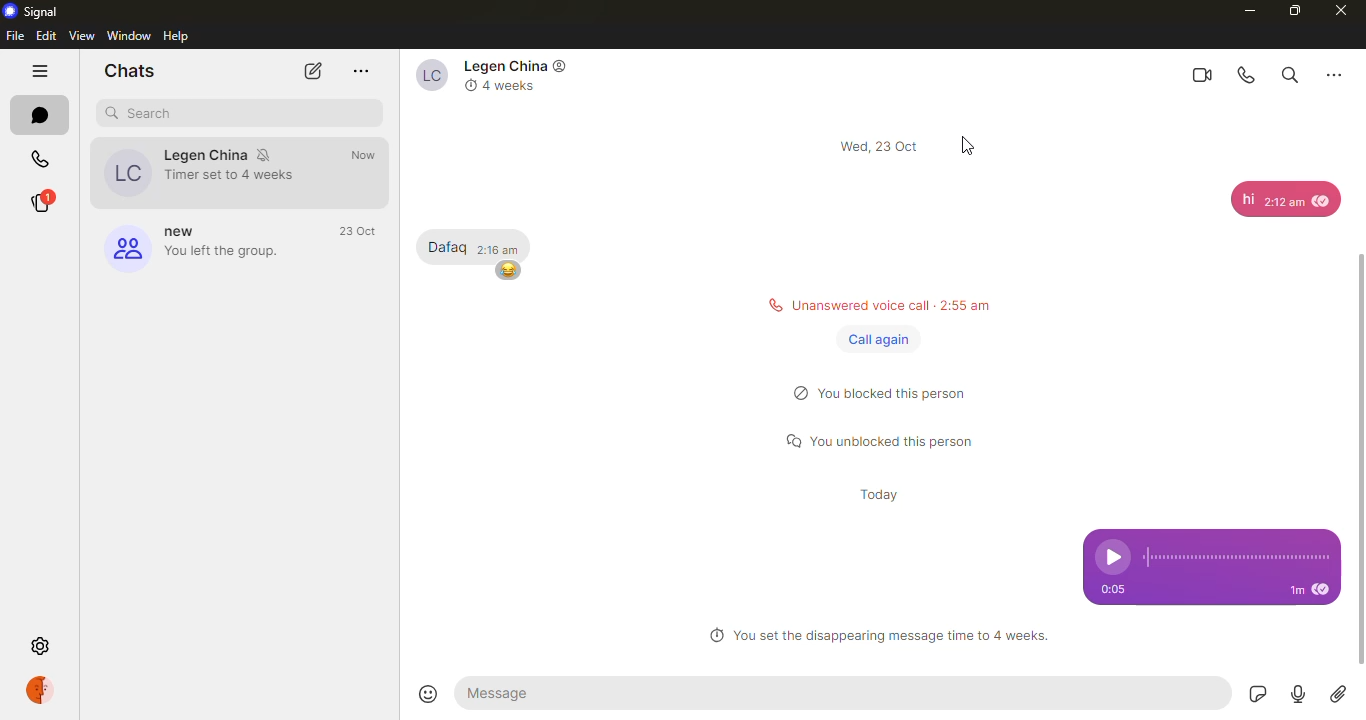 The image size is (1366, 720). What do you see at coordinates (358, 231) in the screenshot?
I see `time` at bounding box center [358, 231].